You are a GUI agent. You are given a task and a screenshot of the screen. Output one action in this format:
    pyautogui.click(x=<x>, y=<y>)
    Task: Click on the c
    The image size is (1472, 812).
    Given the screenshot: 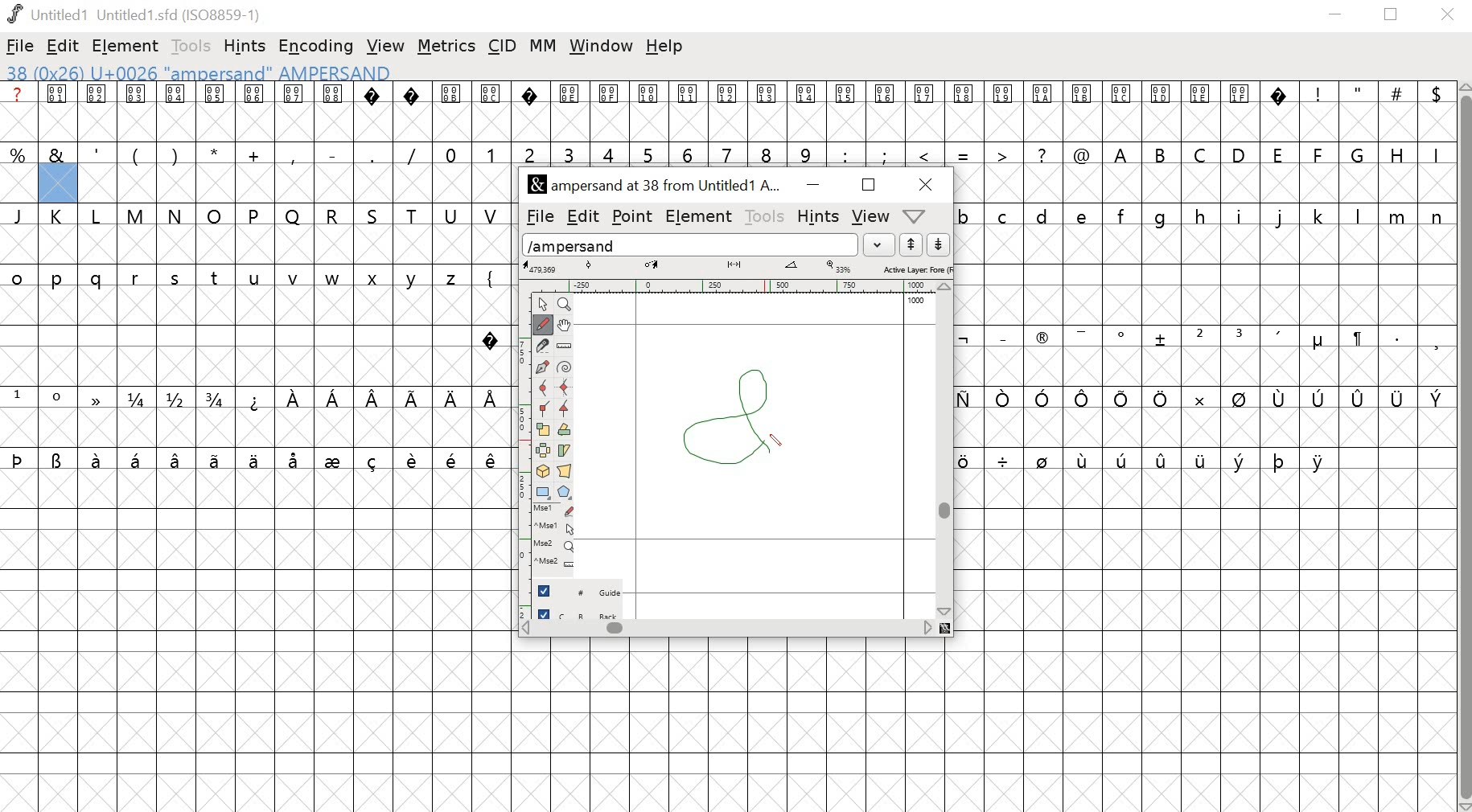 What is the action you would take?
    pyautogui.click(x=1005, y=215)
    